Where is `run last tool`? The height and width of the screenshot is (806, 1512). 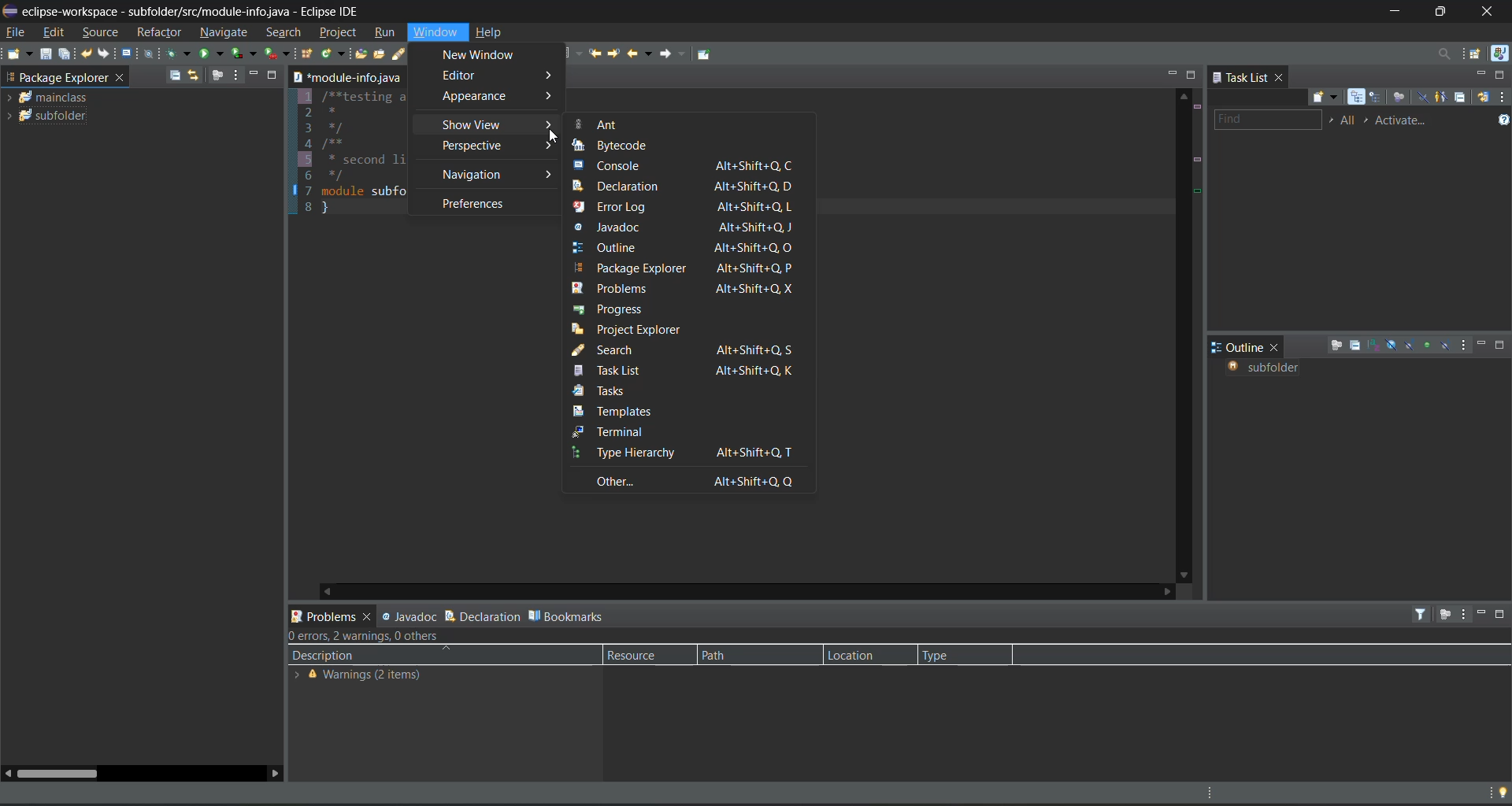 run last tool is located at coordinates (277, 54).